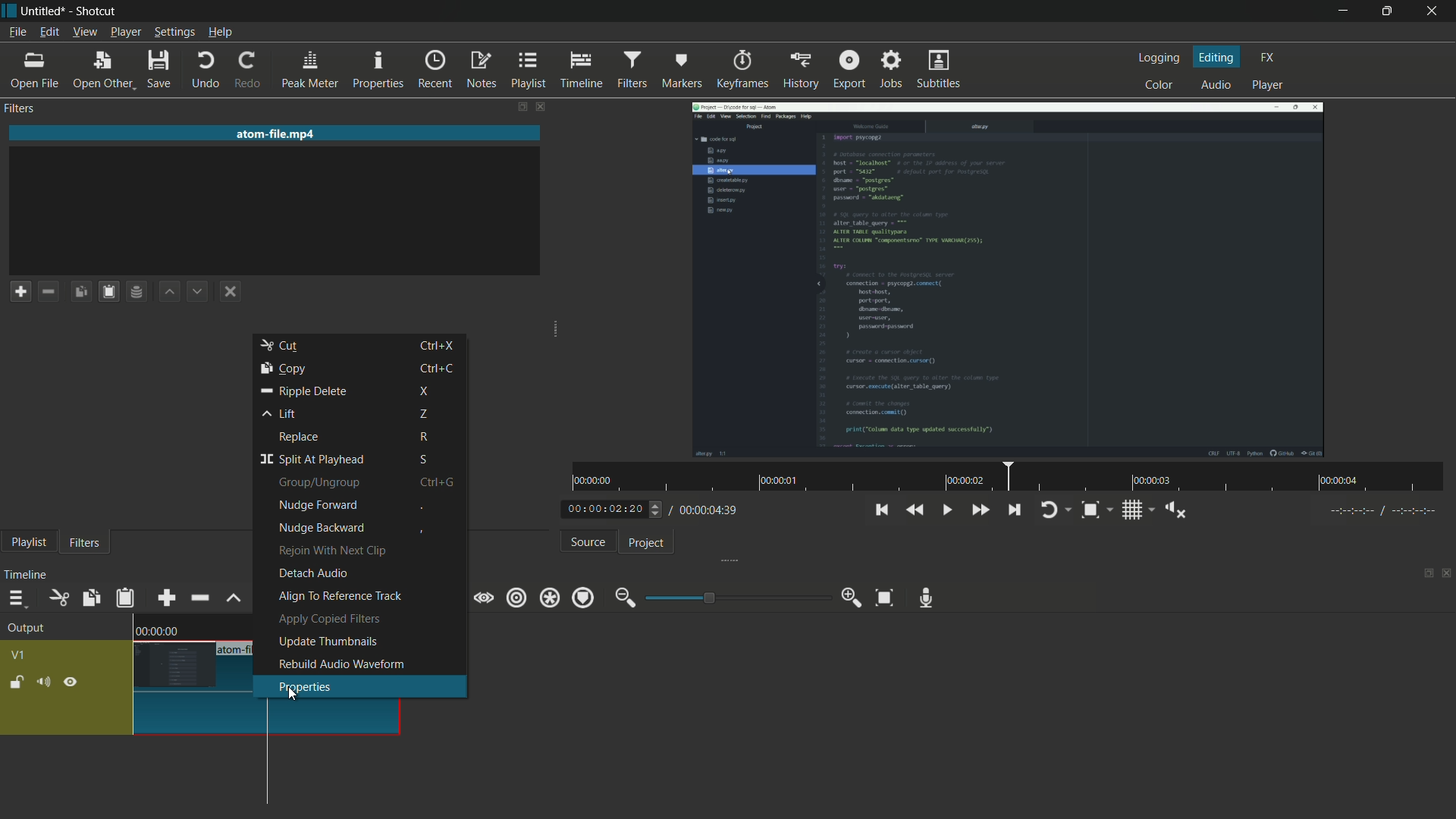  I want to click on close filters, so click(543, 108).